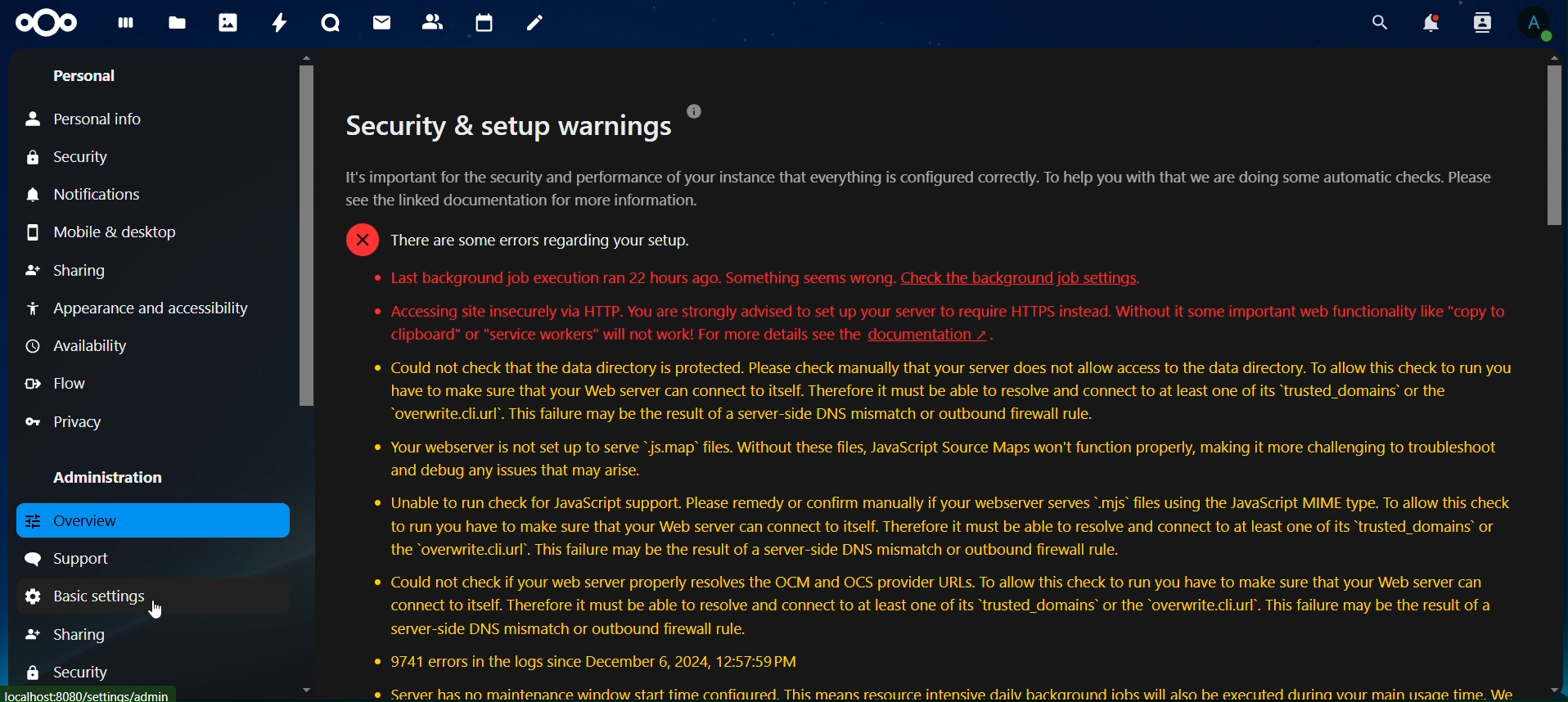 Image resolution: width=1568 pixels, height=702 pixels. I want to click on mail, so click(381, 22).